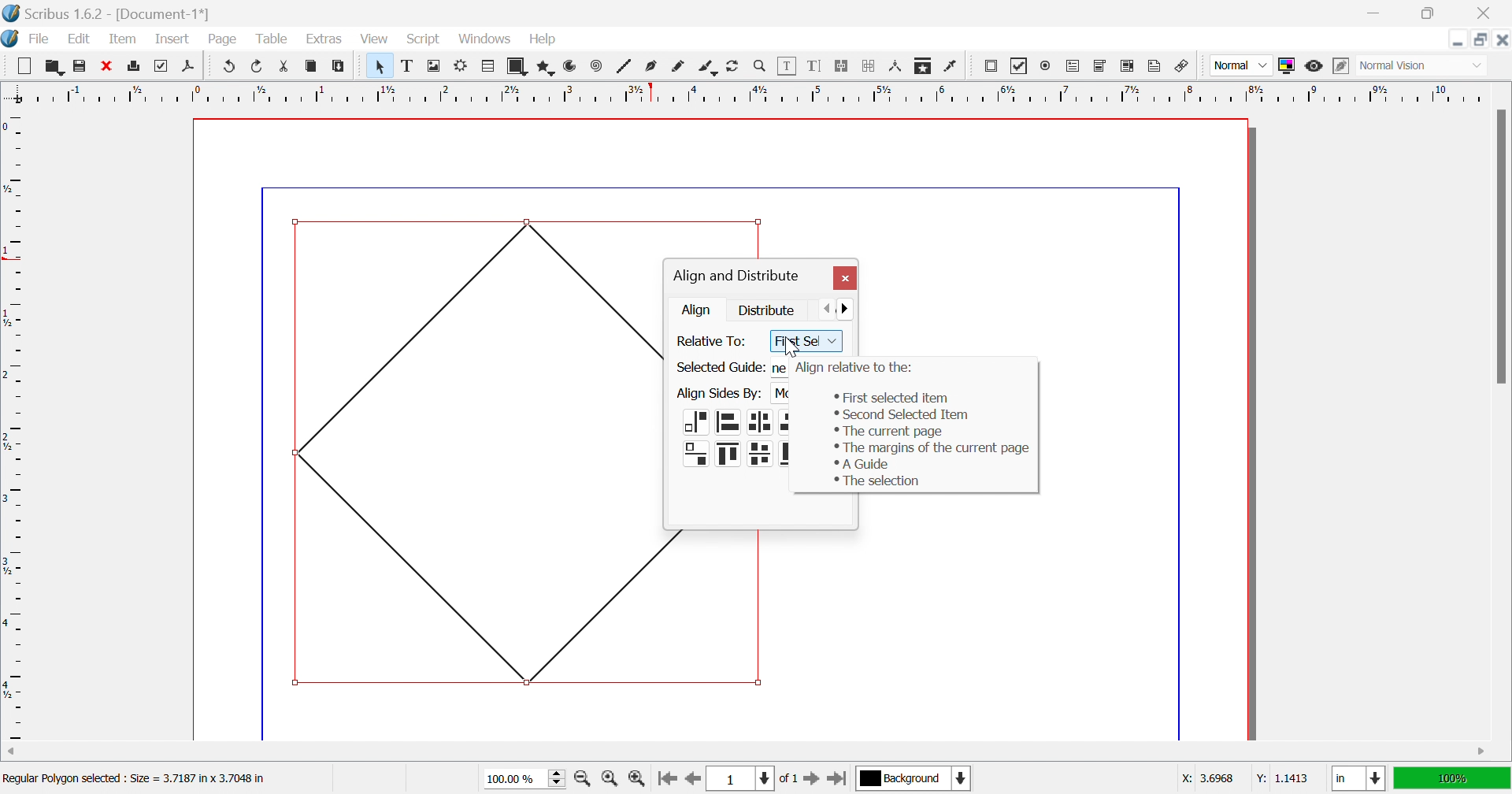 The width and height of the screenshot is (1512, 794). Describe the element at coordinates (374, 39) in the screenshot. I see `View` at that location.